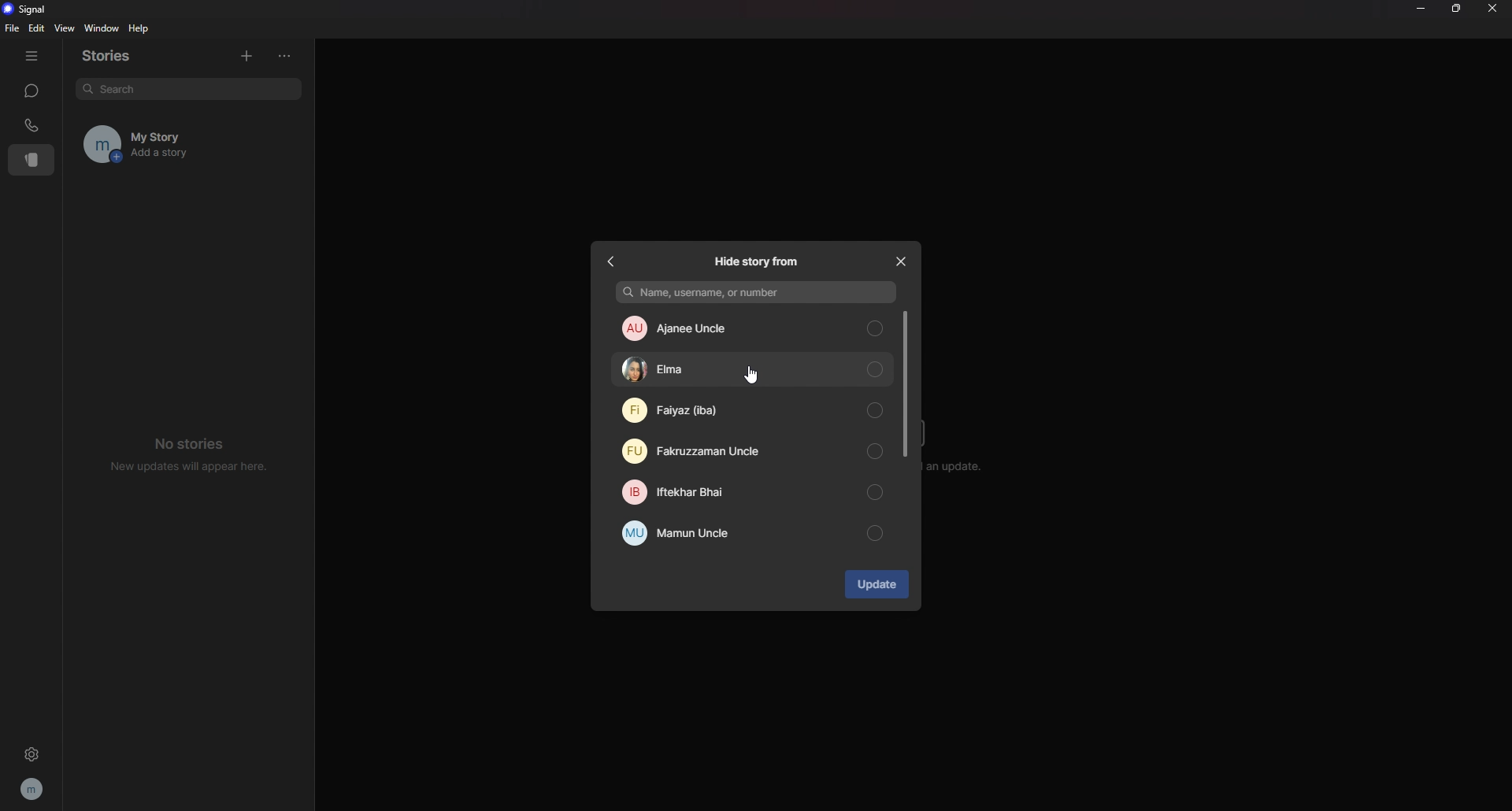 This screenshot has width=1512, height=811. Describe the element at coordinates (32, 160) in the screenshot. I see `stories` at that location.